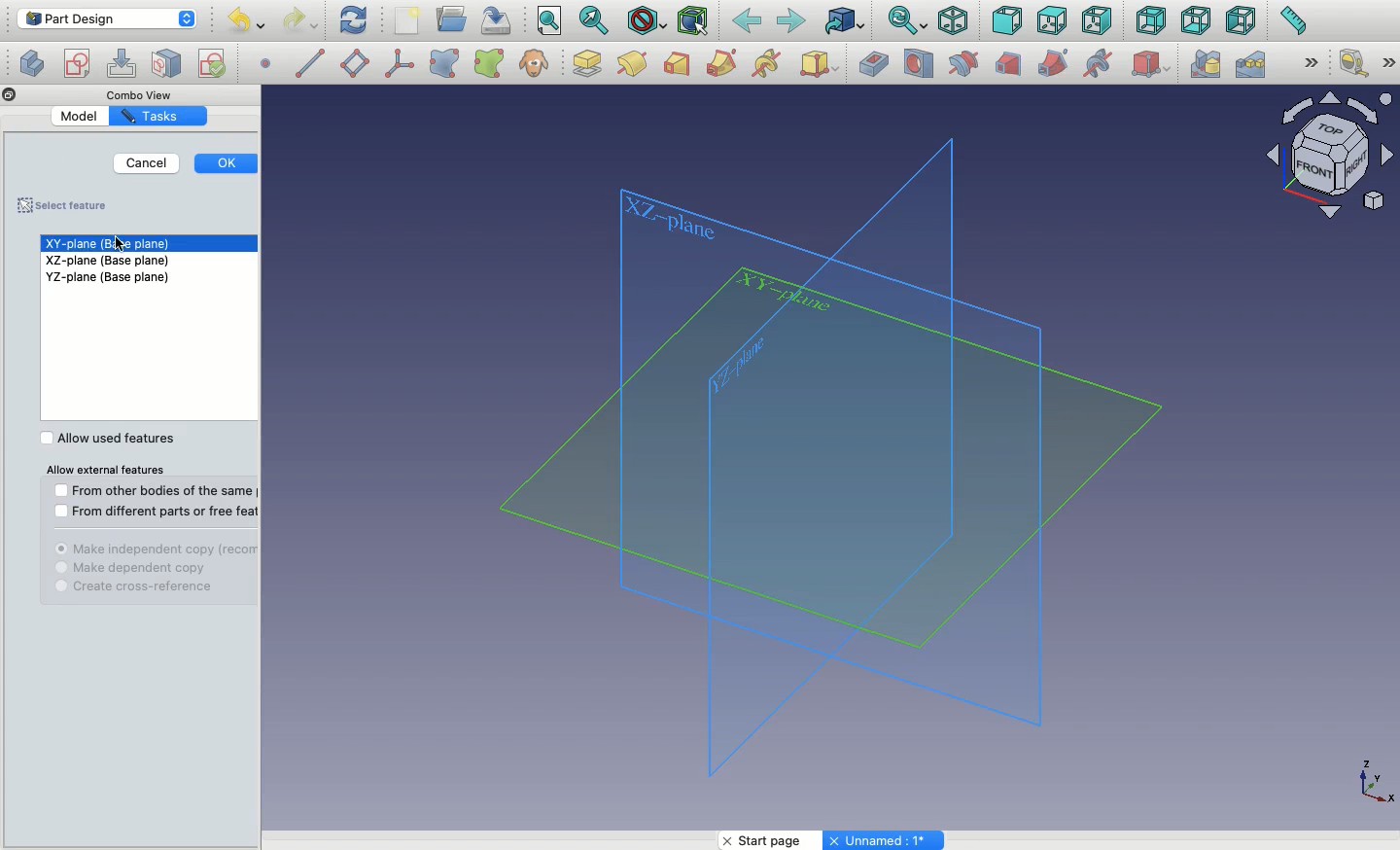  Describe the element at coordinates (952, 22) in the screenshot. I see `Isometric` at that location.